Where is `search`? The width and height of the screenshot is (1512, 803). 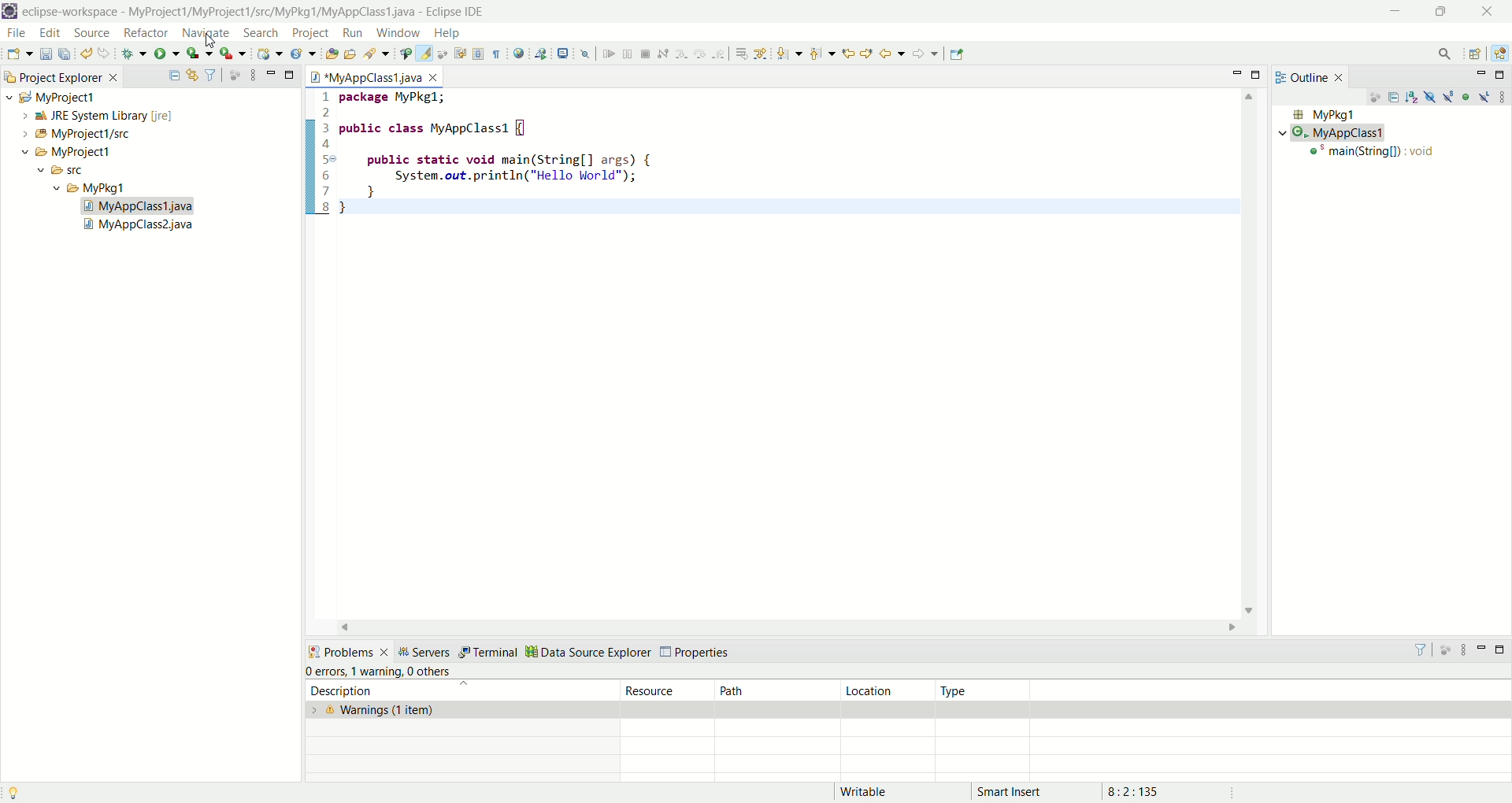 search is located at coordinates (1445, 55).